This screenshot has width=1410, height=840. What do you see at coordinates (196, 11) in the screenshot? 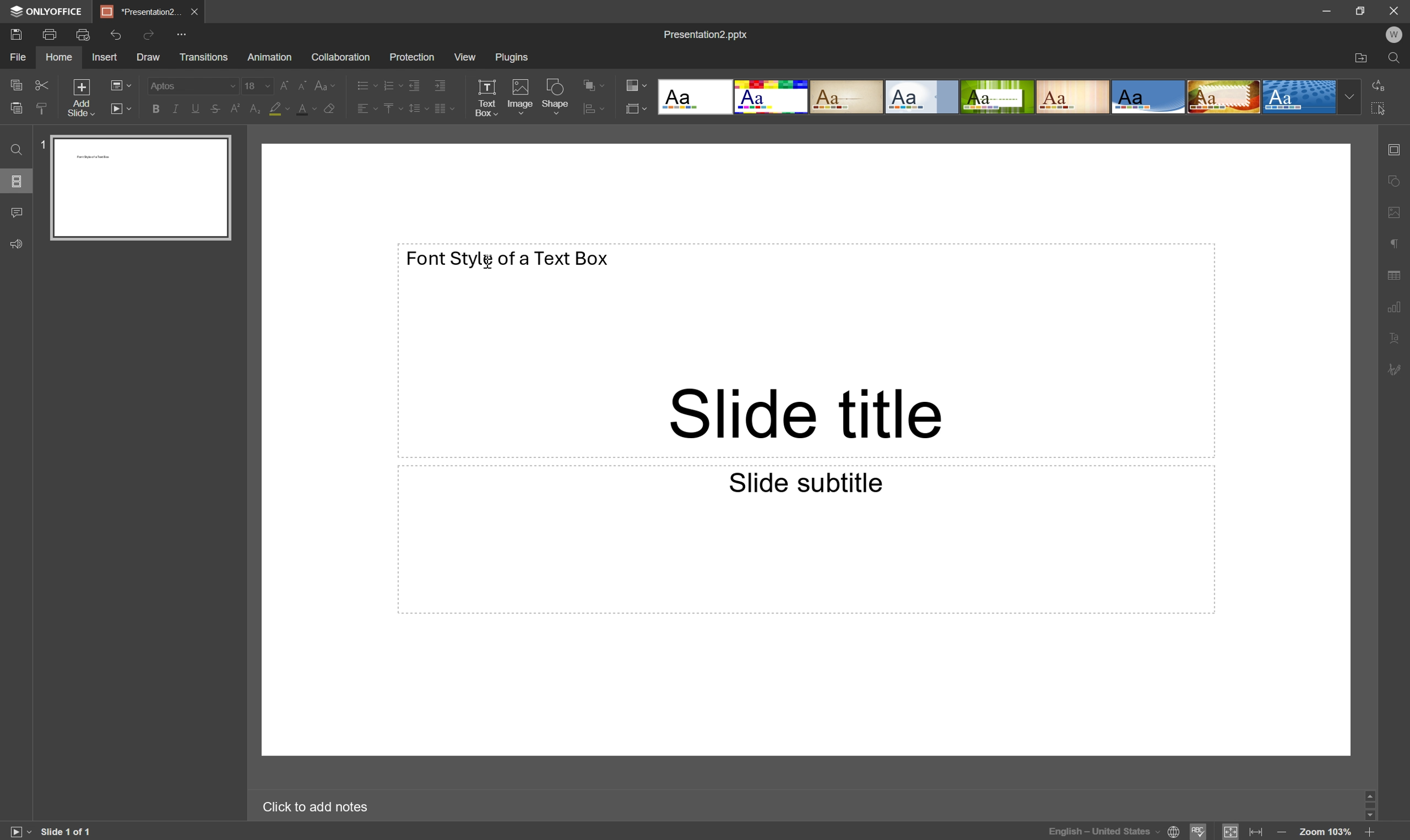
I see `Close` at bounding box center [196, 11].